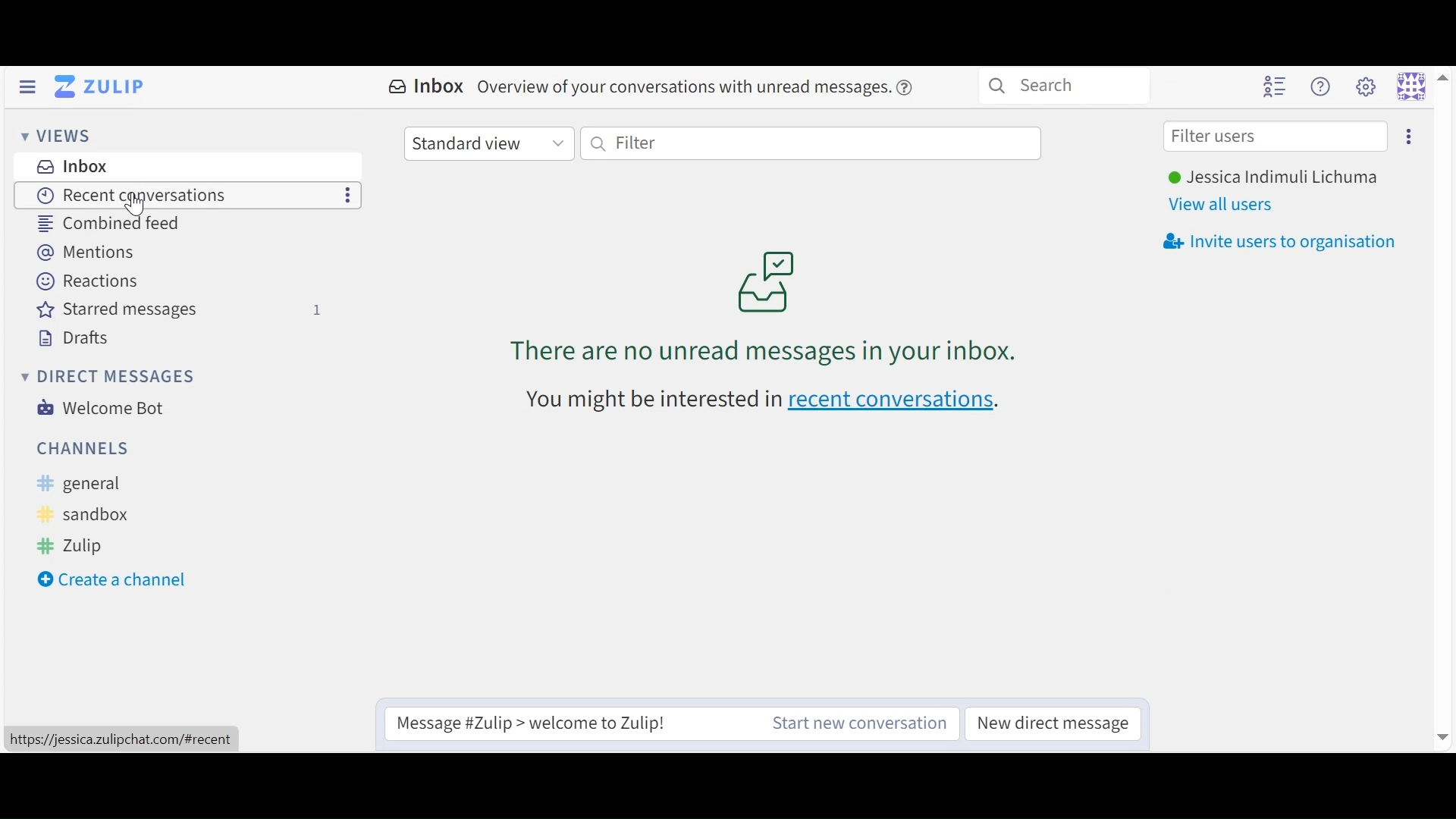 The width and height of the screenshot is (1456, 819). I want to click on Recent Conversations, so click(124, 195).